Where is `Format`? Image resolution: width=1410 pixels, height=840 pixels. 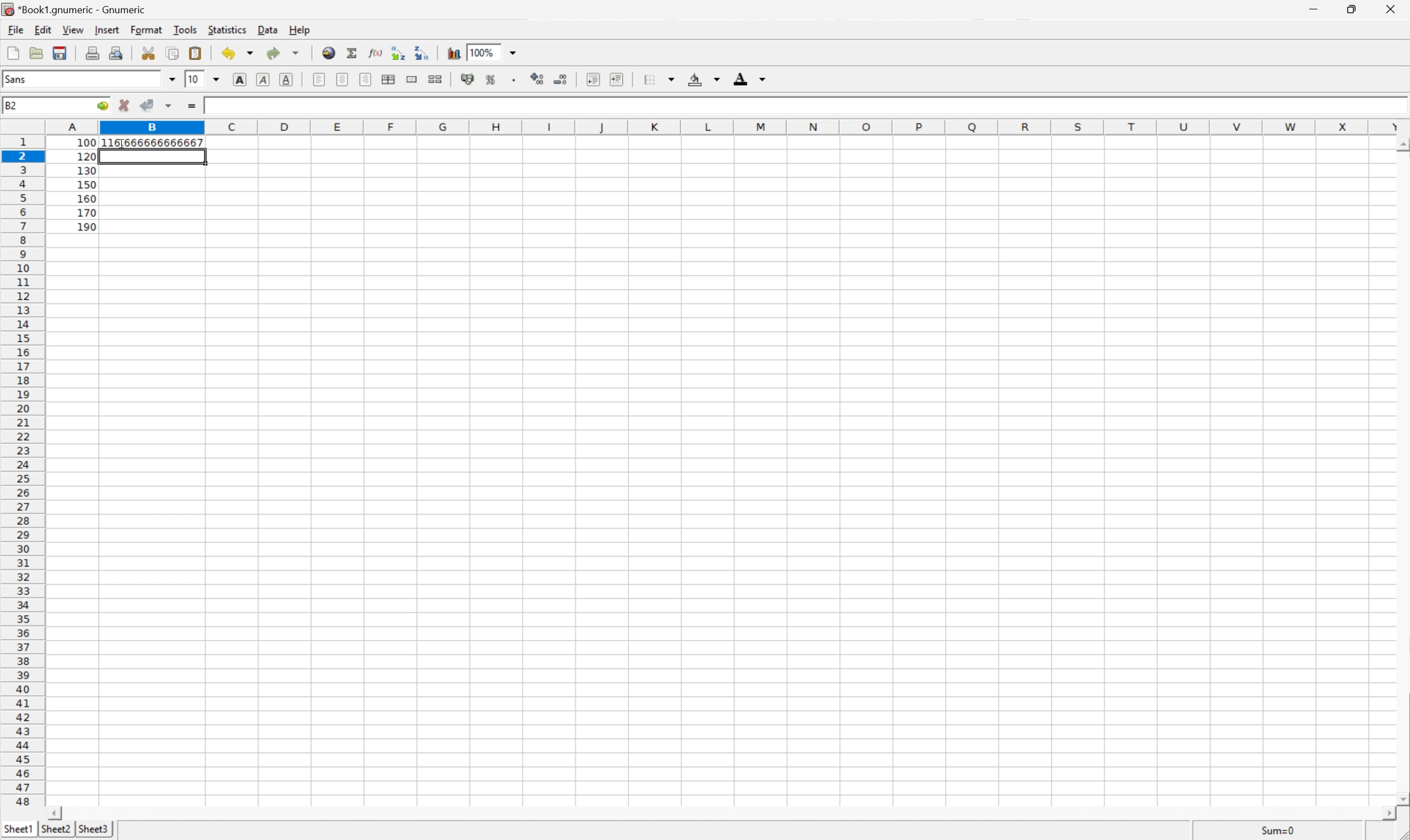
Format is located at coordinates (147, 29).